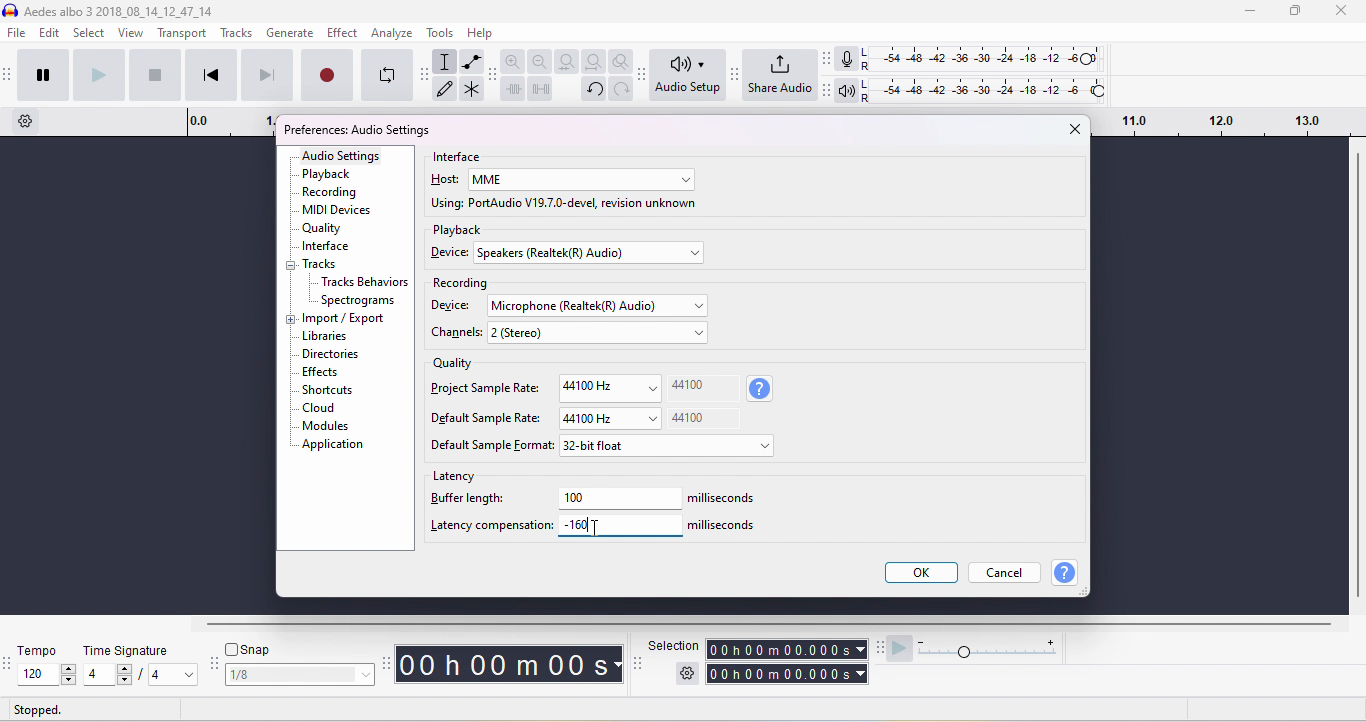  I want to click on playback, so click(458, 230).